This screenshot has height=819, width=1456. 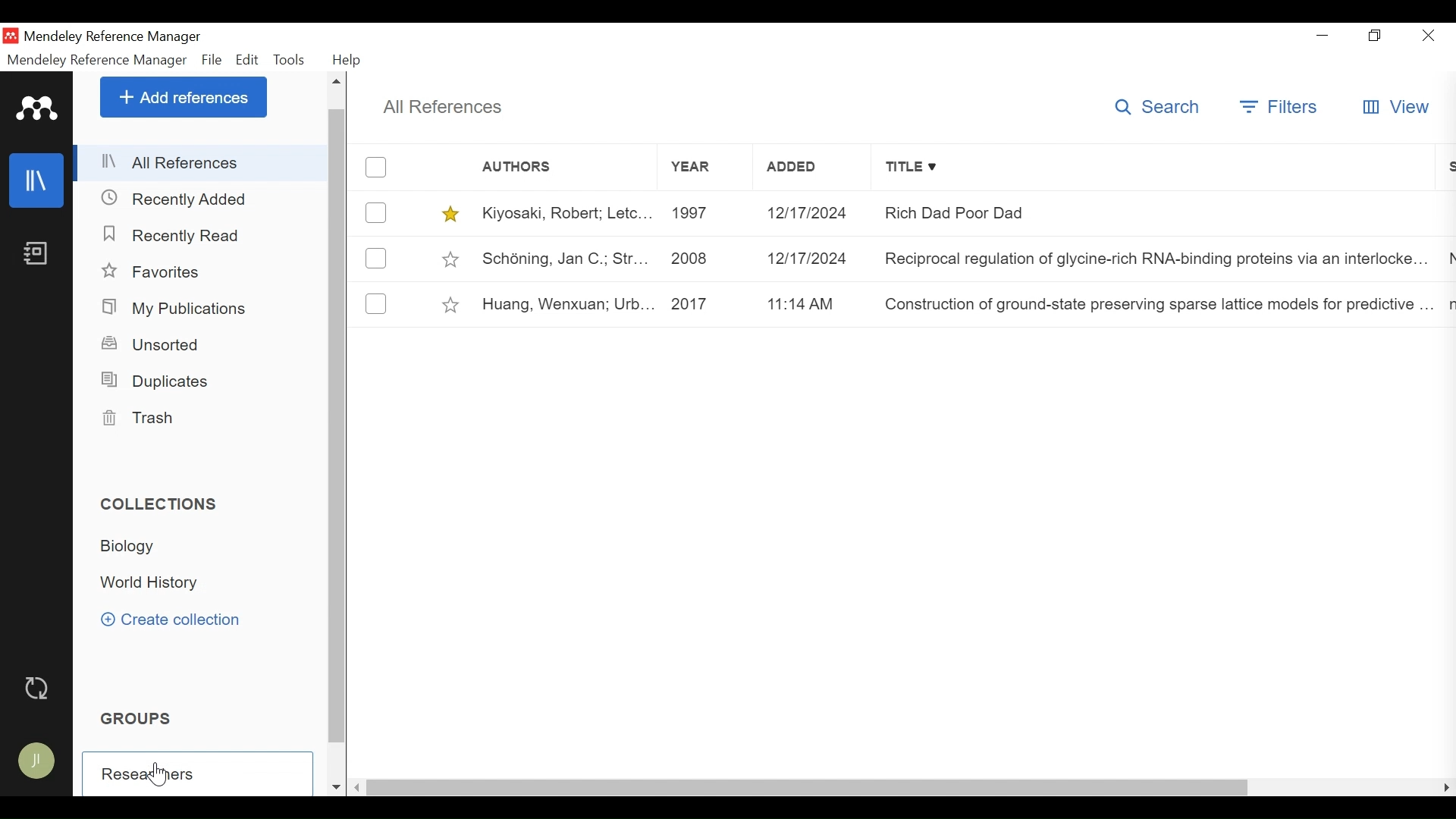 I want to click on Scroll up, so click(x=338, y=81).